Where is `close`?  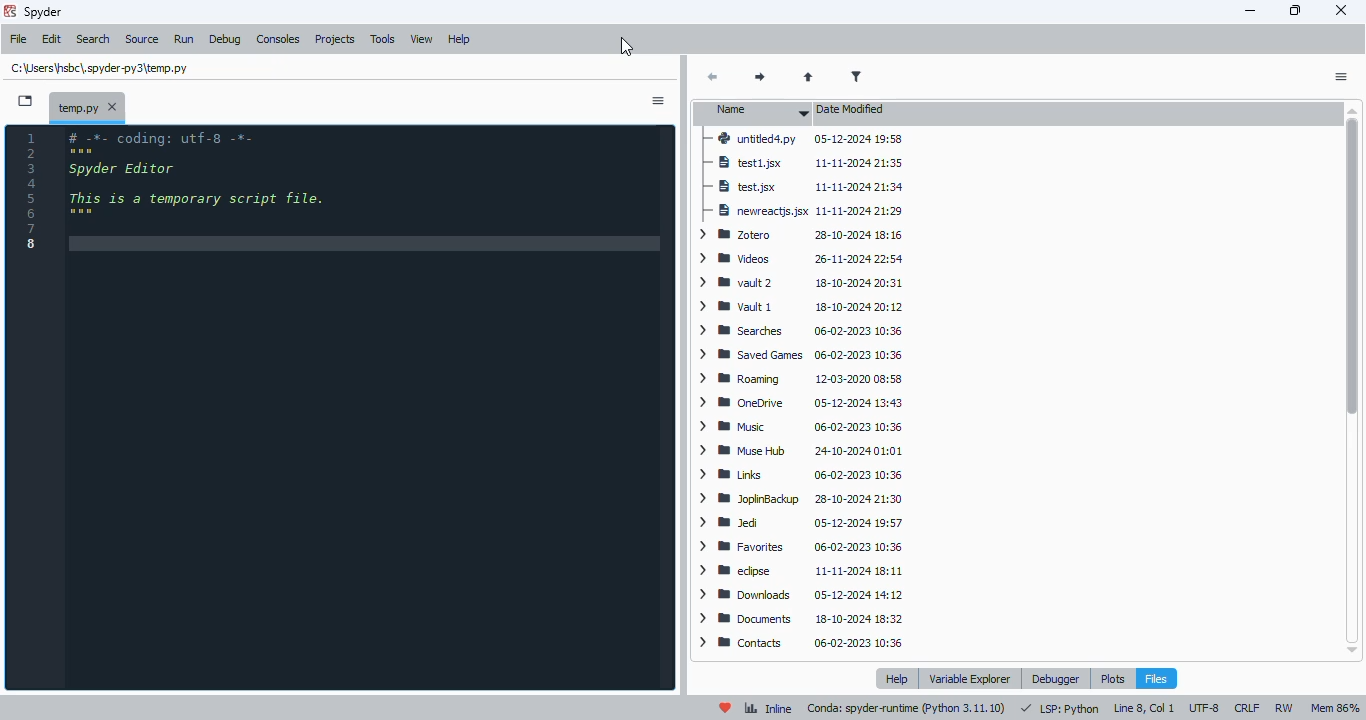 close is located at coordinates (1342, 9).